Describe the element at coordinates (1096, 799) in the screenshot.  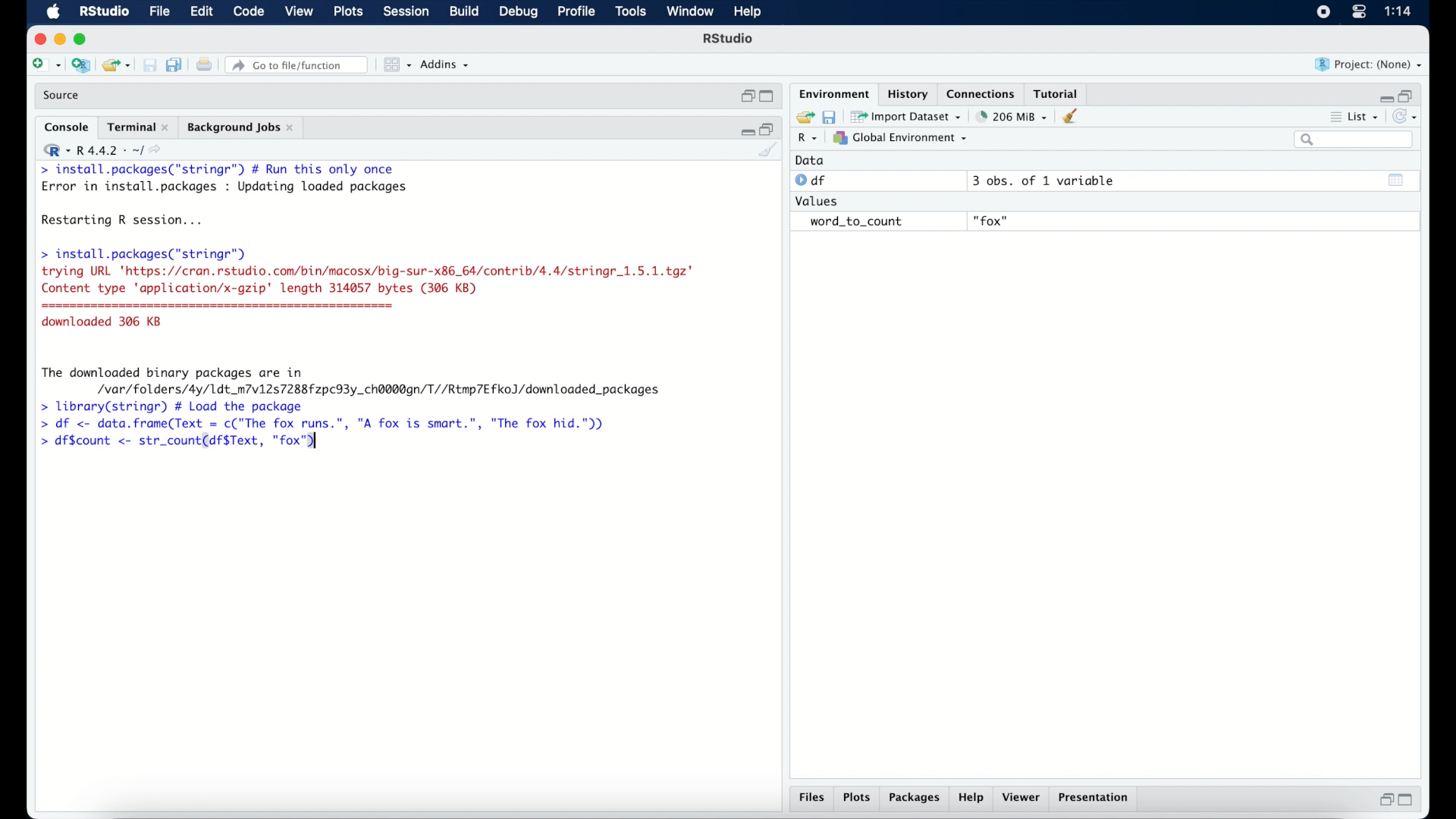
I see `presentation` at that location.